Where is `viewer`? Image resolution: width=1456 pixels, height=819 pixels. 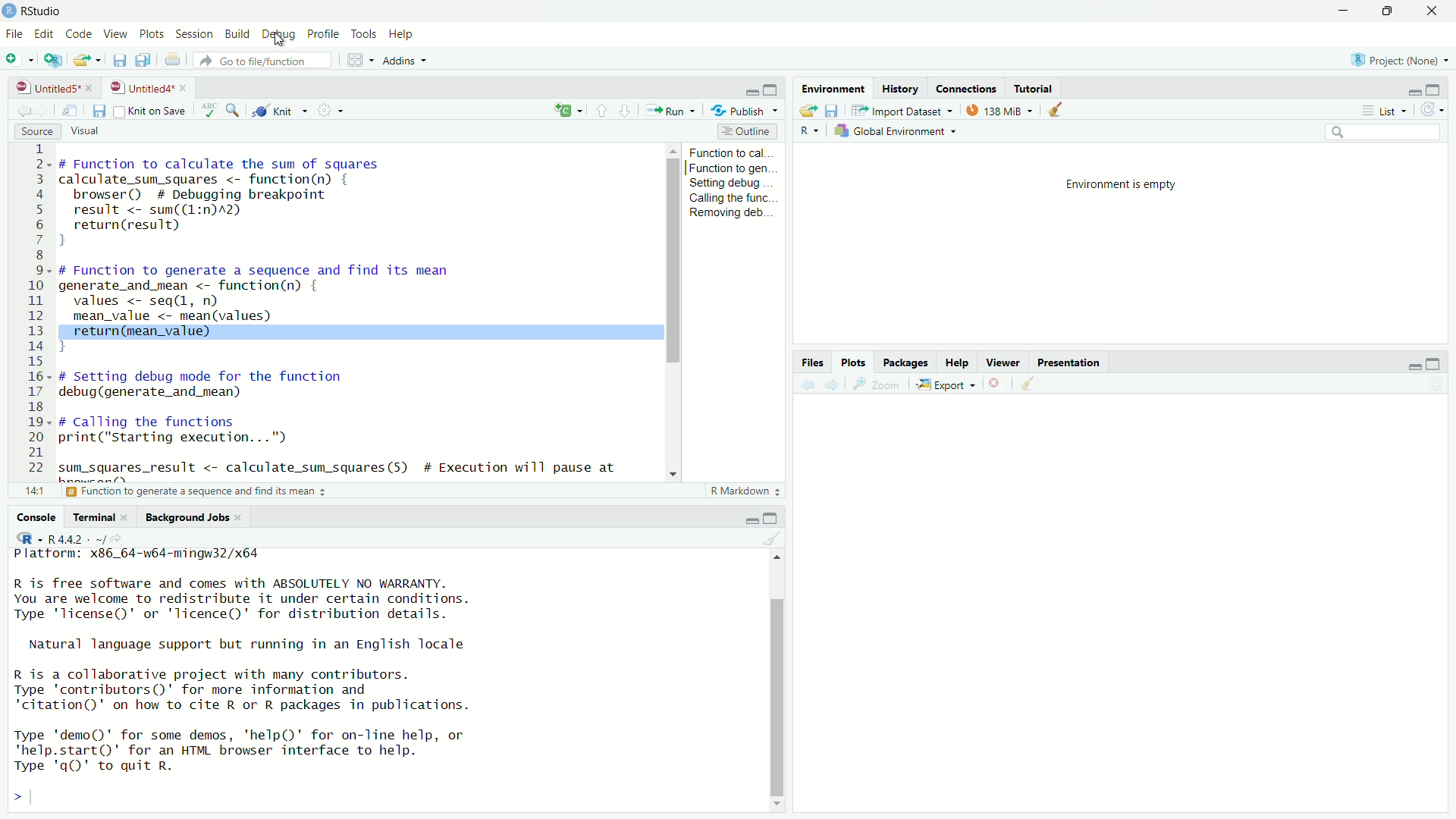
viewer is located at coordinates (1003, 360).